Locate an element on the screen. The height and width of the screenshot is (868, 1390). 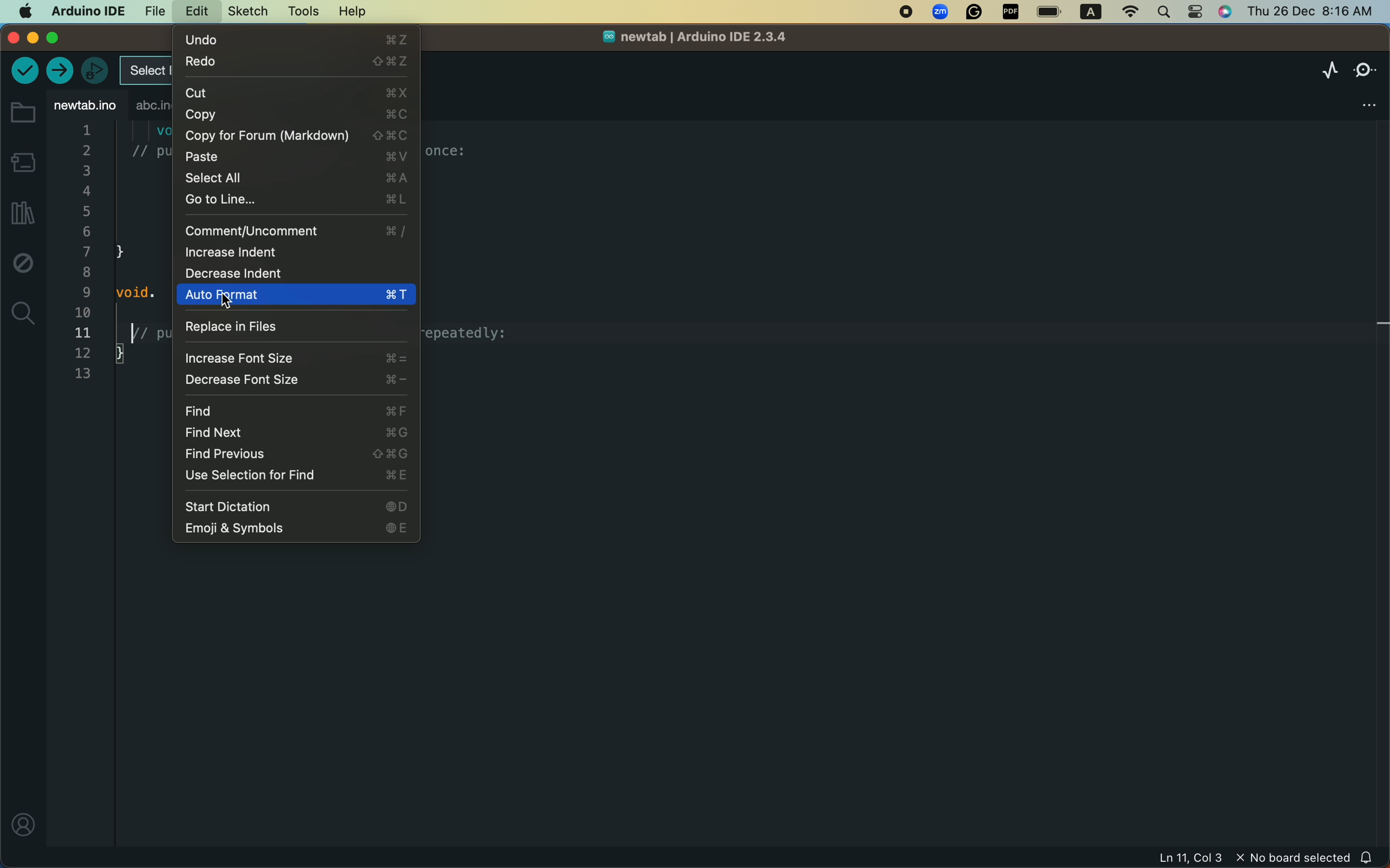
select all is located at coordinates (296, 177).